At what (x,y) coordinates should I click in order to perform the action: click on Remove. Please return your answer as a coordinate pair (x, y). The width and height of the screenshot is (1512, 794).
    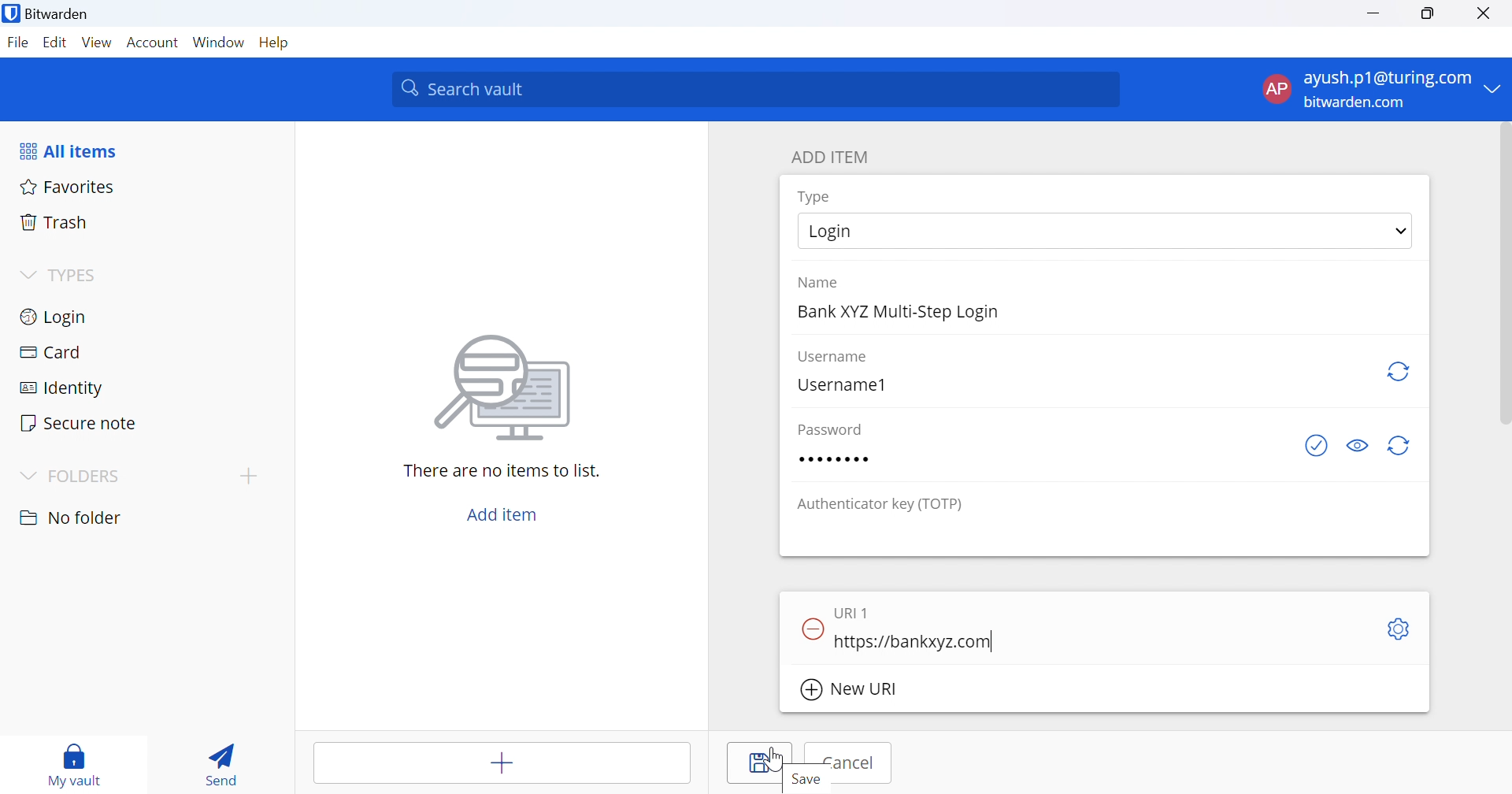
    Looking at the image, I should click on (807, 627).